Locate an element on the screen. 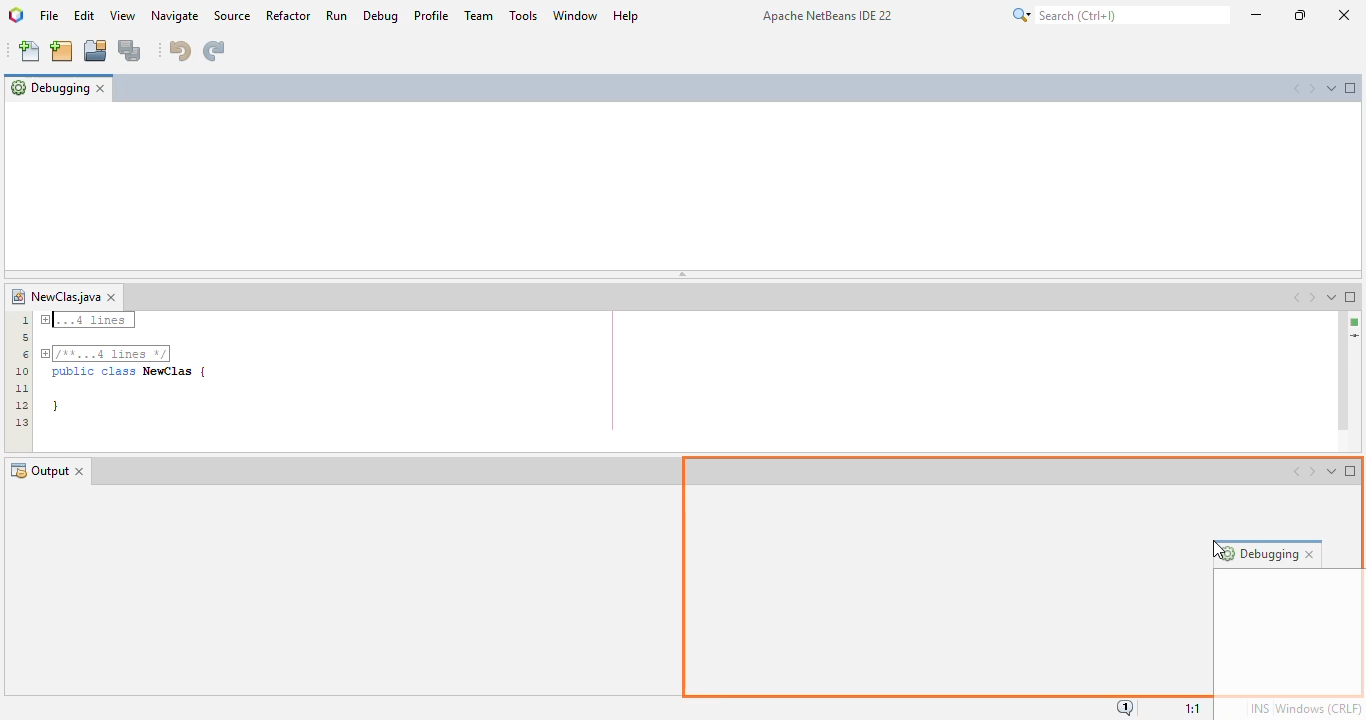  debug is located at coordinates (381, 15).